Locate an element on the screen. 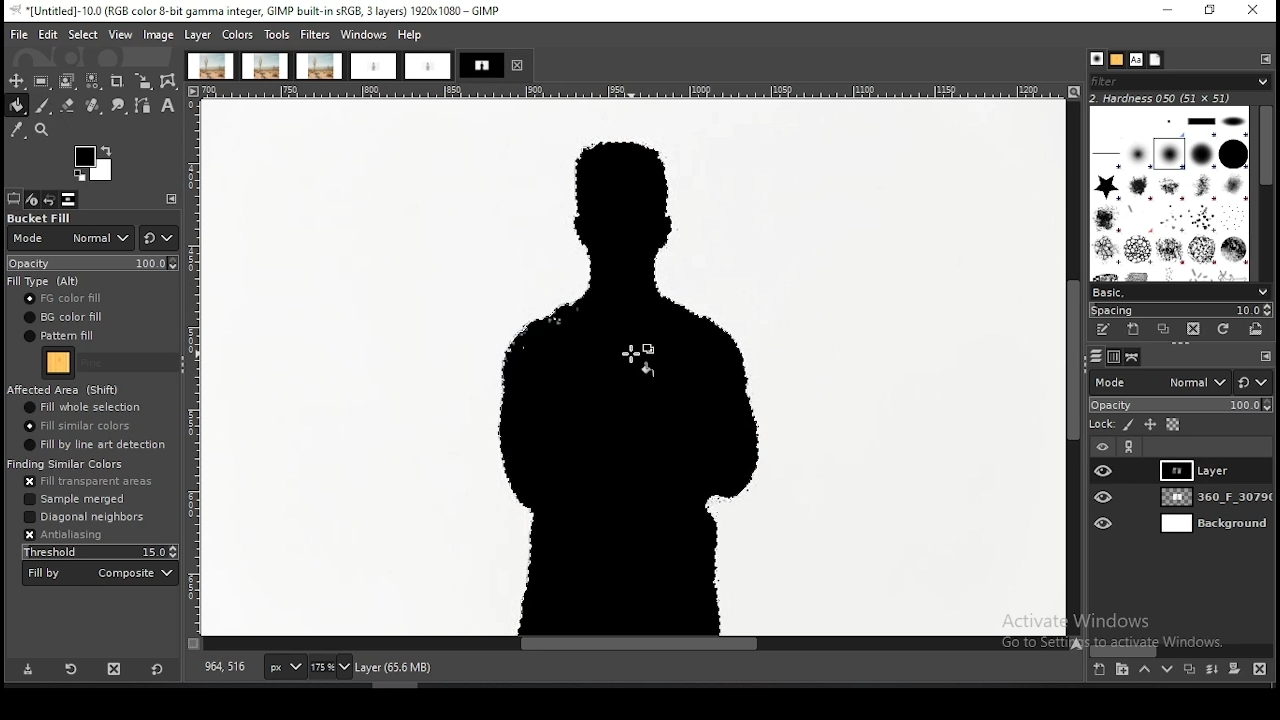 This screenshot has width=1280, height=720. windows is located at coordinates (364, 35).